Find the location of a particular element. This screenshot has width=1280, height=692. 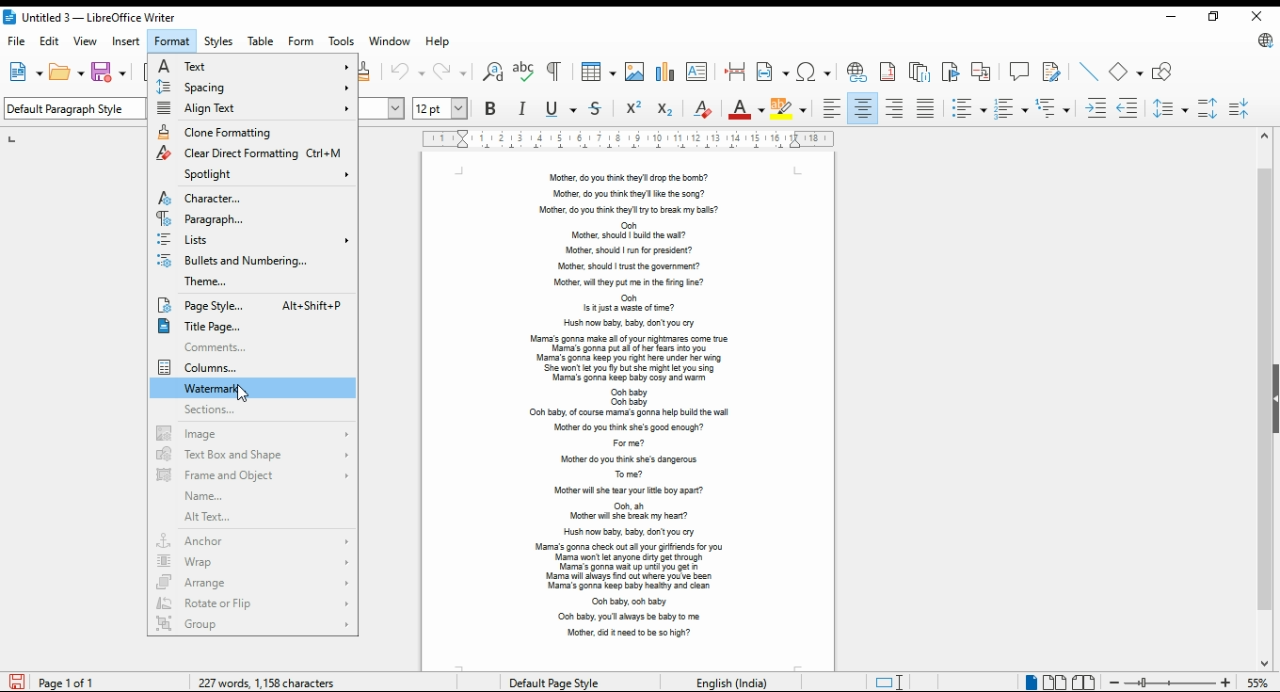

redo is located at coordinates (449, 71).